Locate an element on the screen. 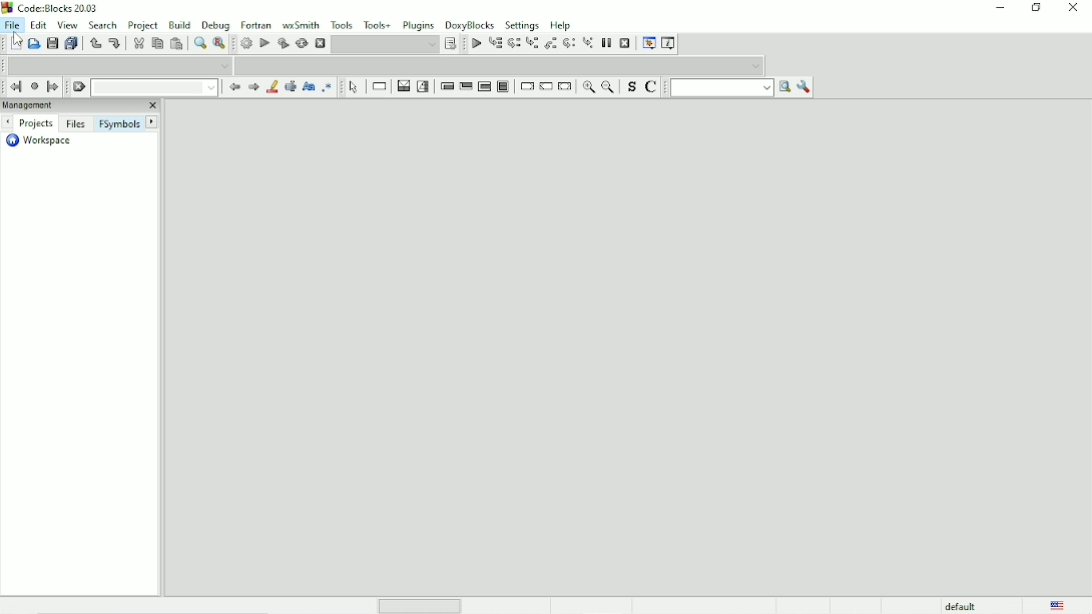  Jump forward is located at coordinates (53, 86).